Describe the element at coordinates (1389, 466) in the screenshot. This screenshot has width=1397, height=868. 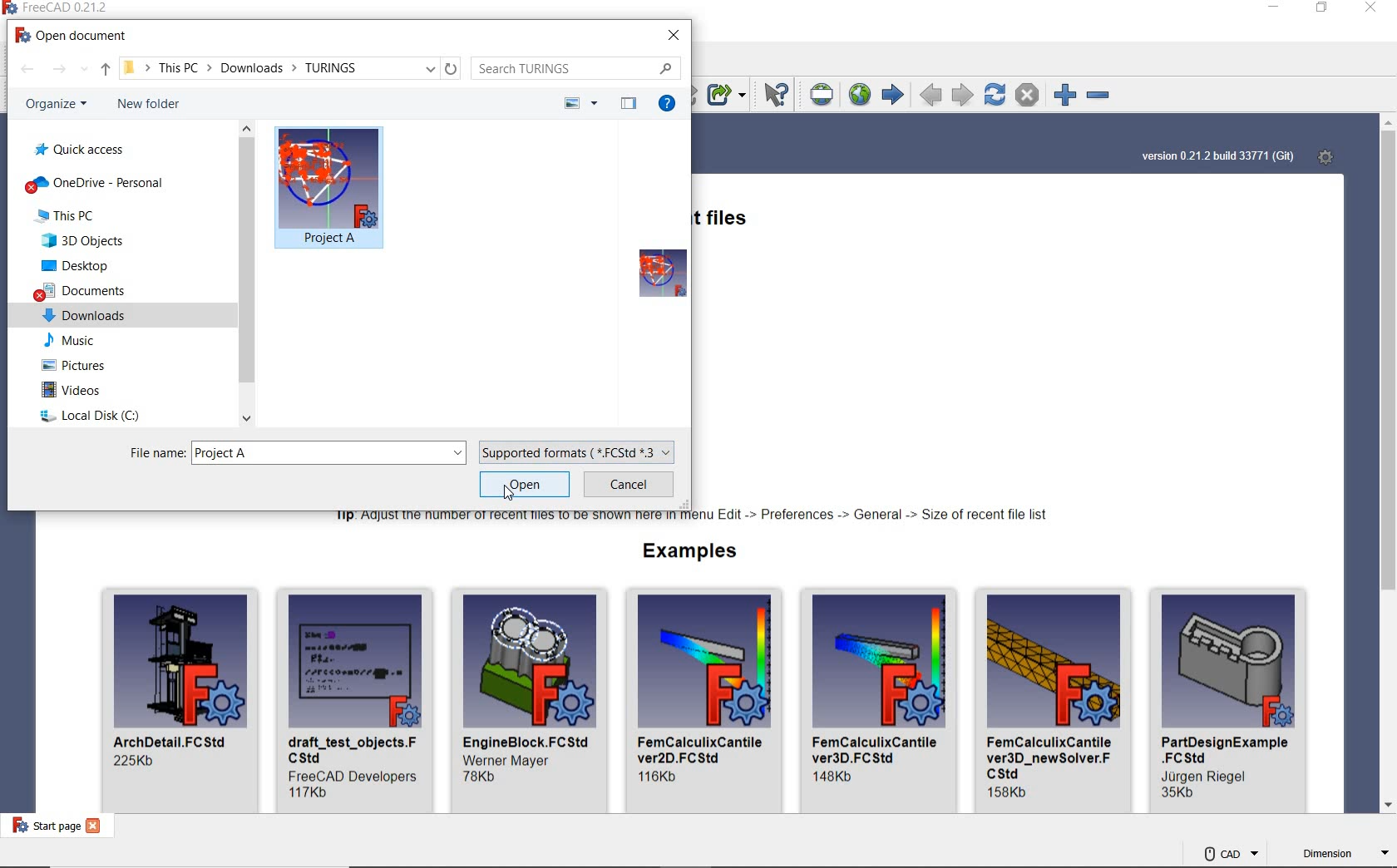
I see `SCROLLBAR` at that location.